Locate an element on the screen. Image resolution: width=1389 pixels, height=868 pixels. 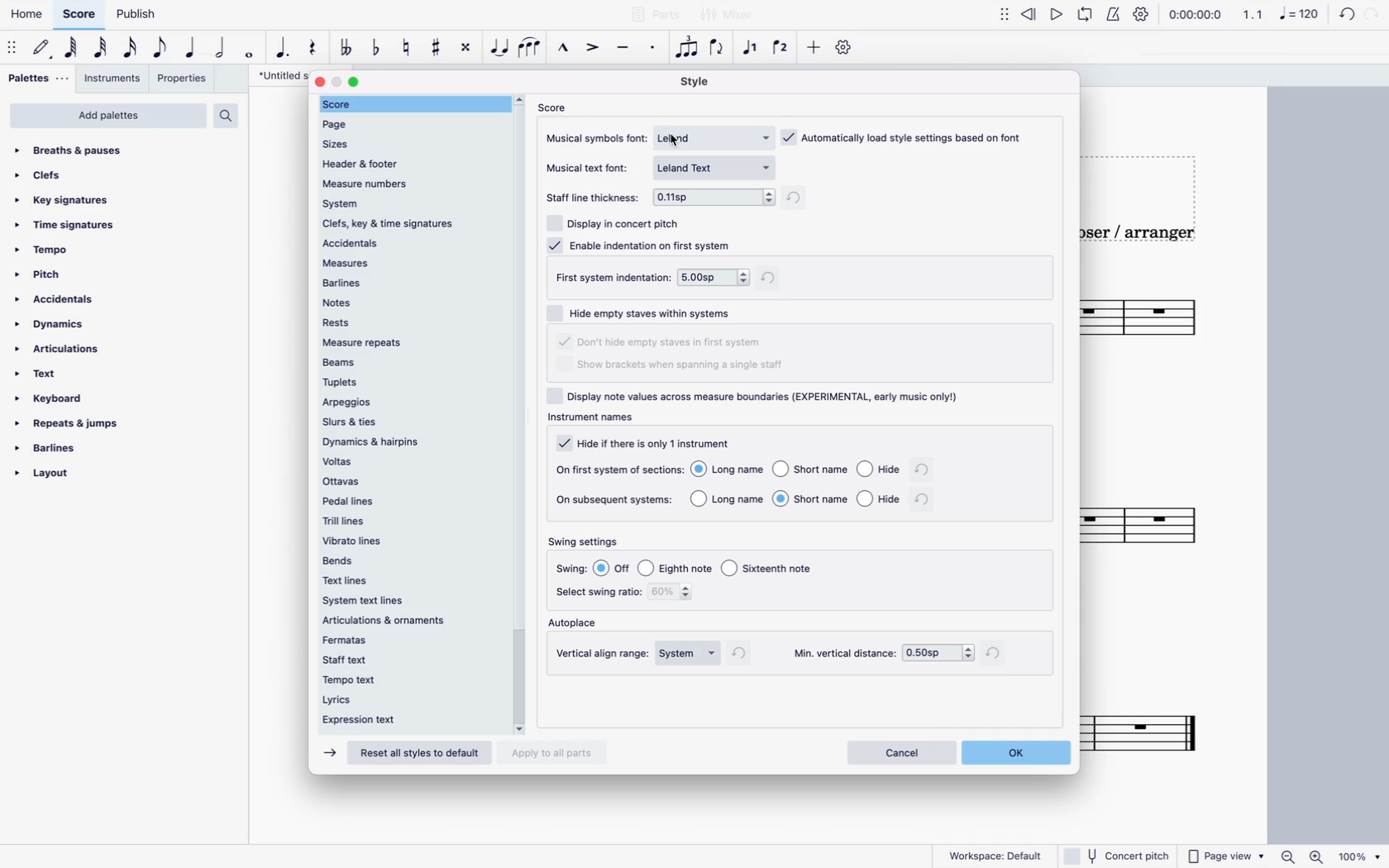
Zoom in/out is located at coordinates (1300, 856).